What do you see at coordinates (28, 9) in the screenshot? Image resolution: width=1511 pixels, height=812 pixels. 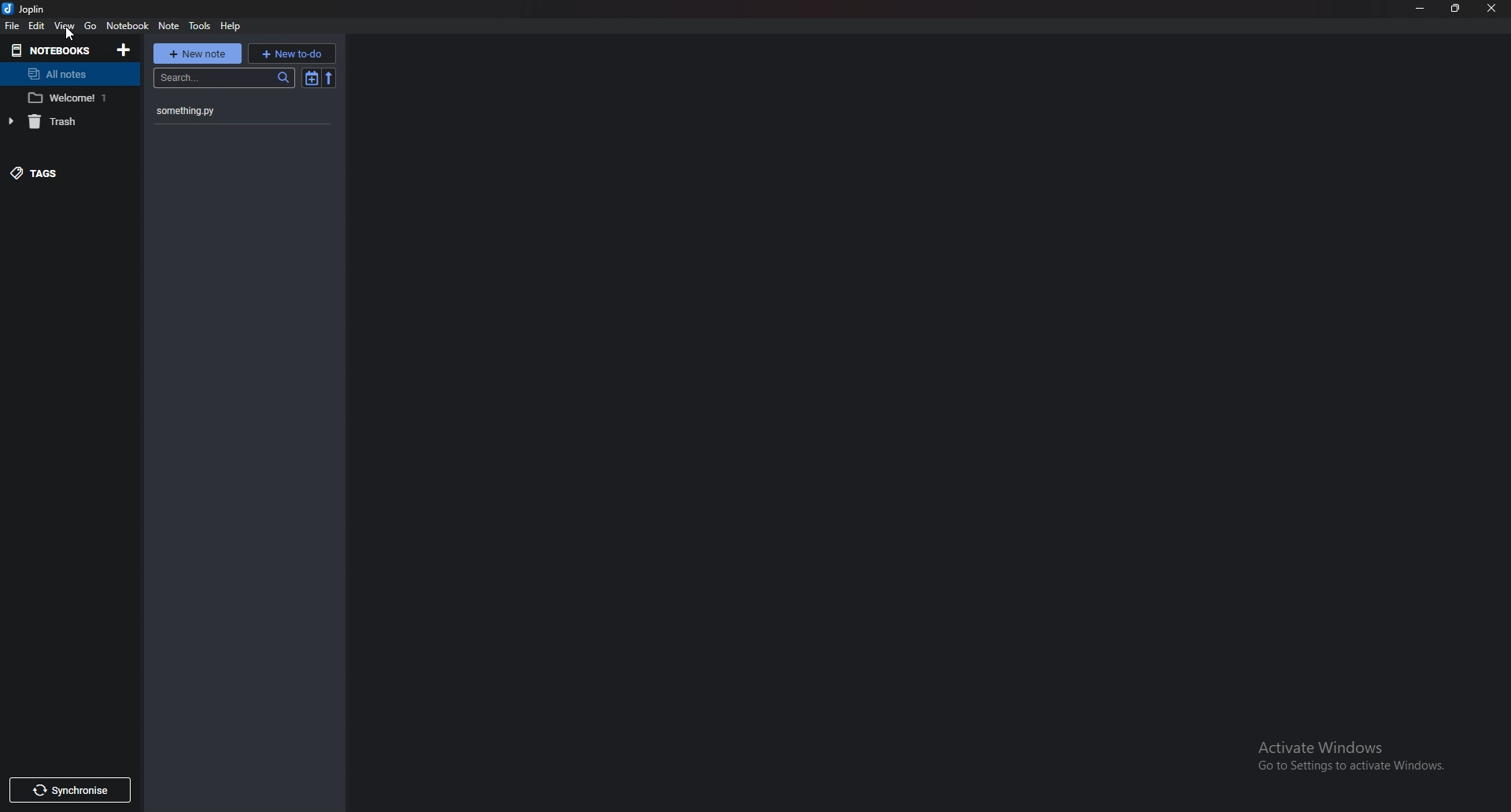 I see `joplin` at bounding box center [28, 9].